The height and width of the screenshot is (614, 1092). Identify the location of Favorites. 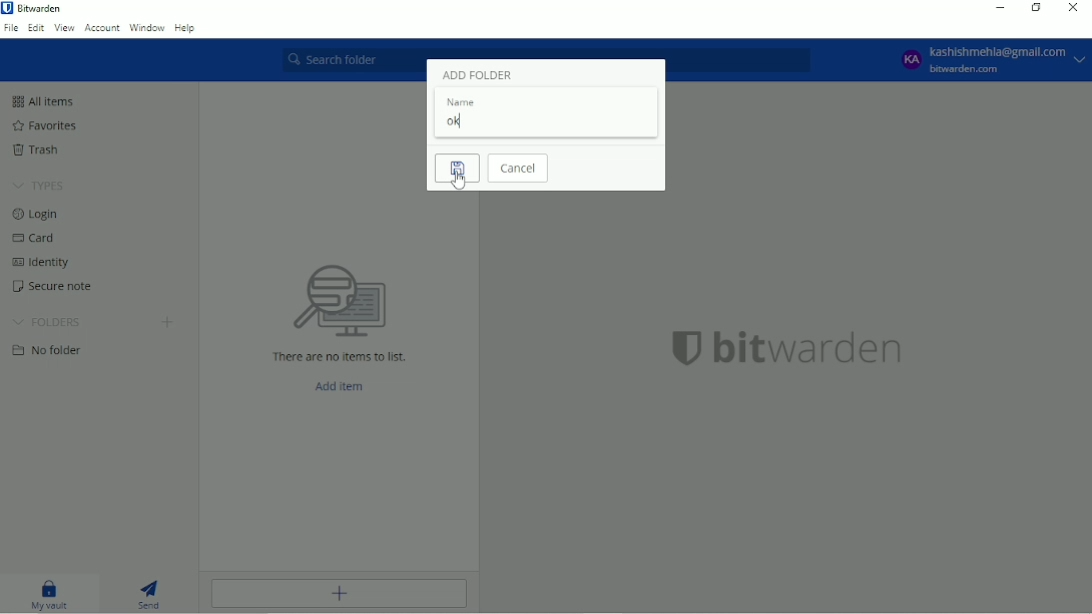
(47, 126).